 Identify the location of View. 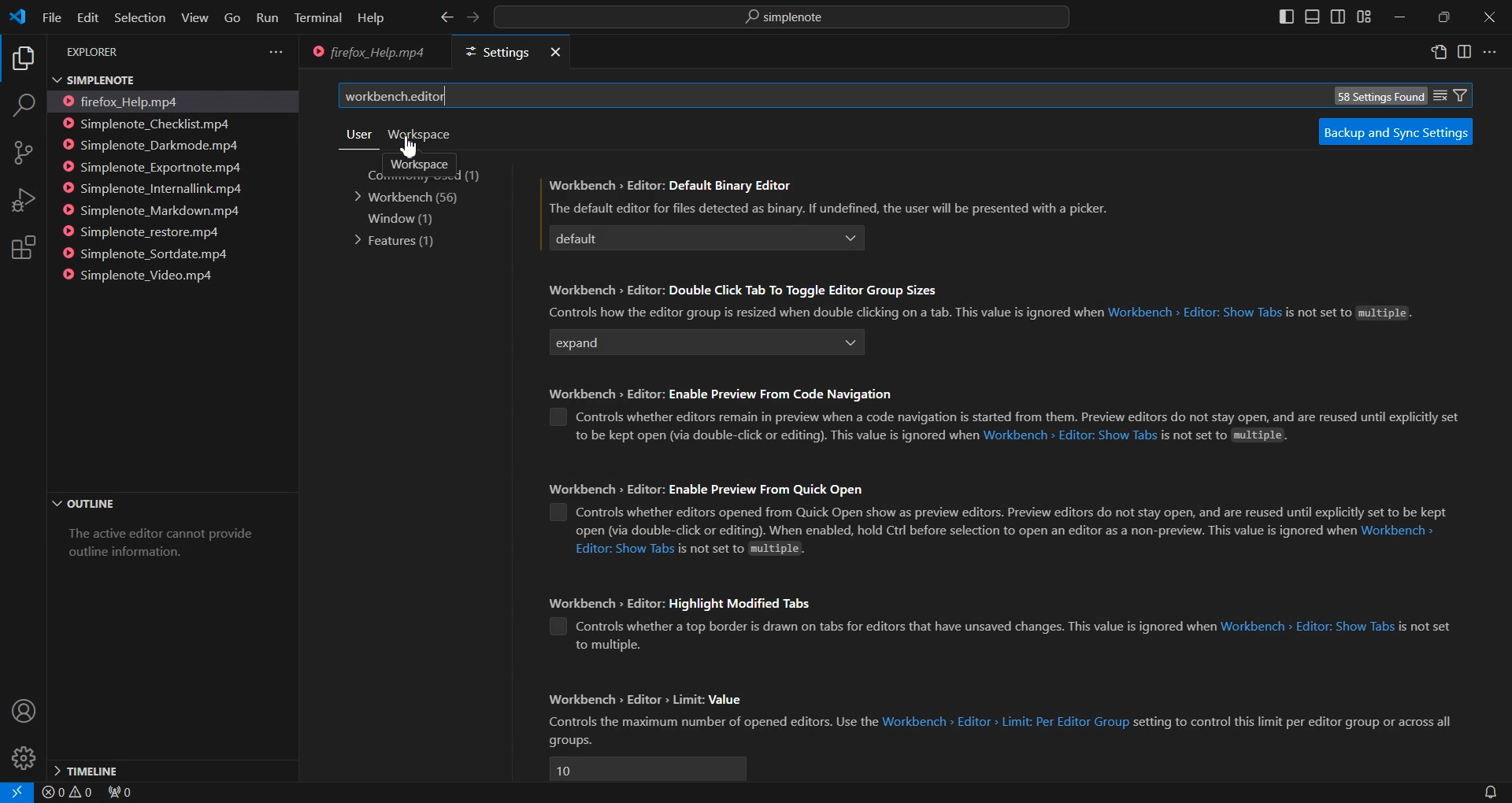
(195, 17).